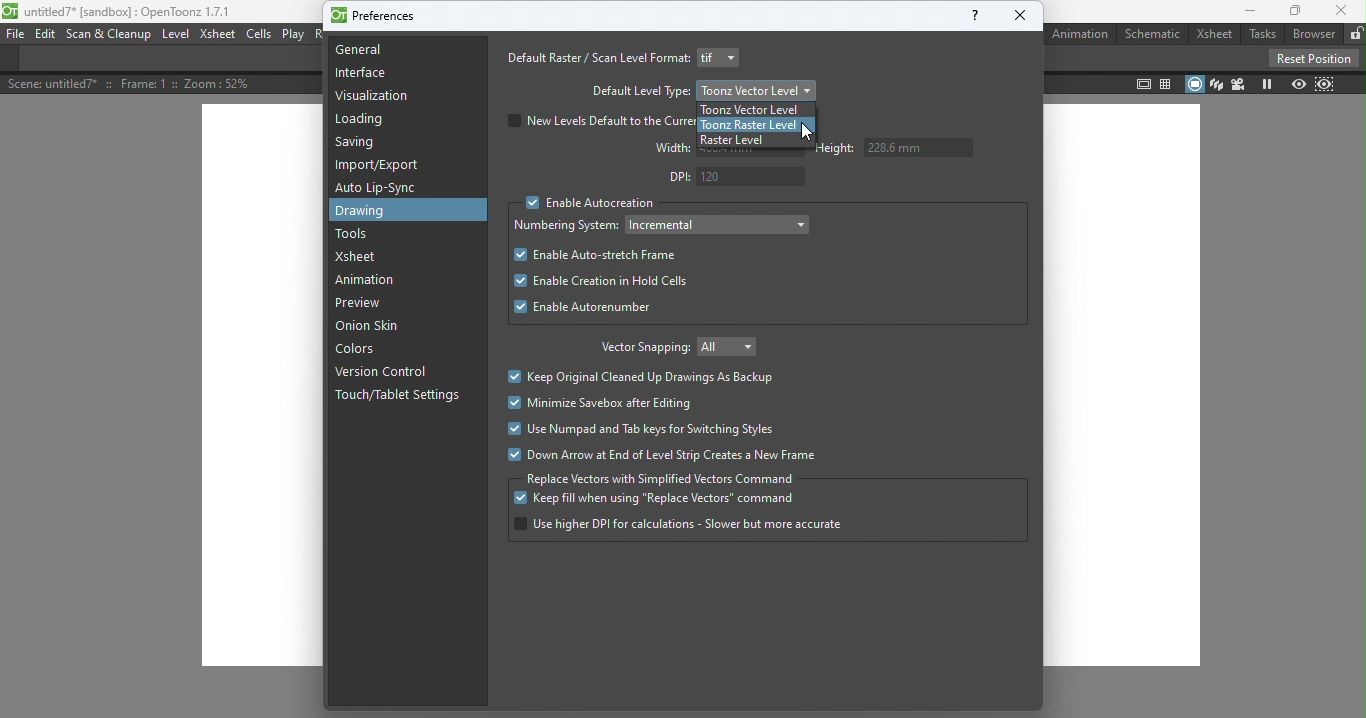 This screenshot has height=718, width=1366. Describe the element at coordinates (718, 223) in the screenshot. I see `Drop down` at that location.